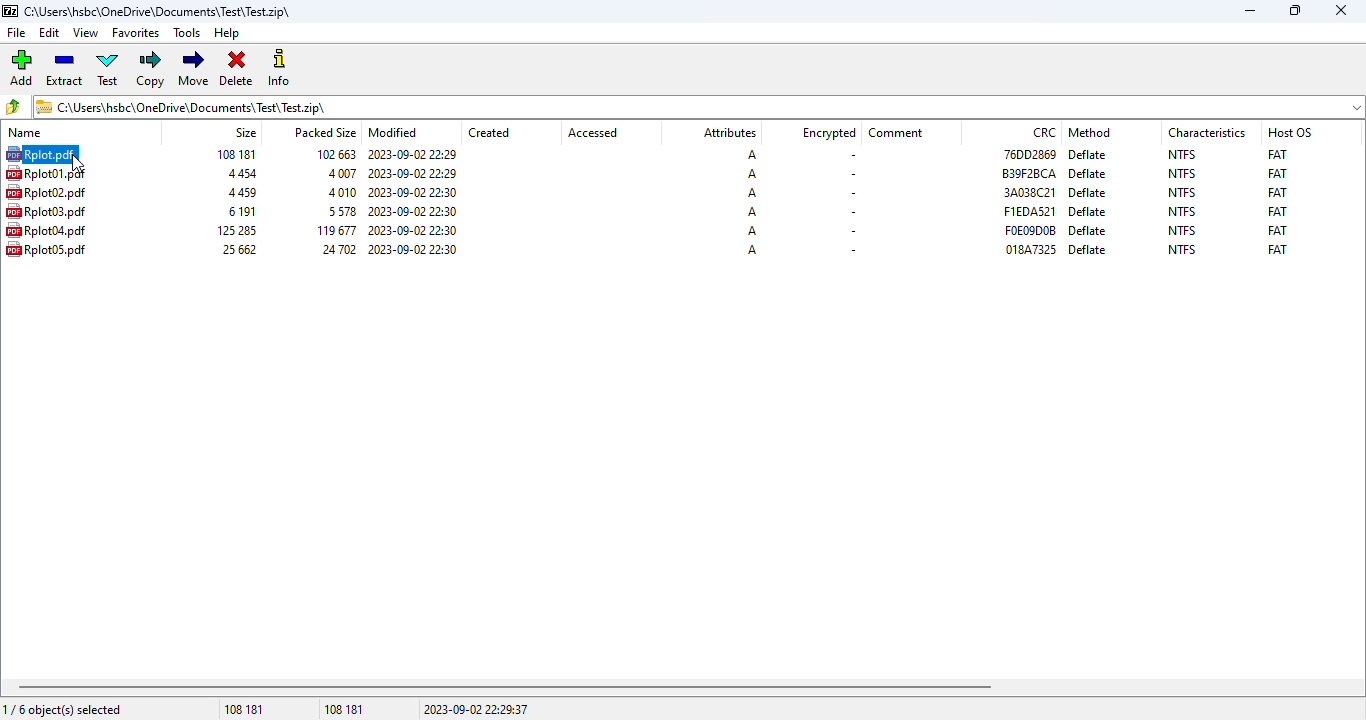  What do you see at coordinates (752, 211) in the screenshot?
I see `A` at bounding box center [752, 211].